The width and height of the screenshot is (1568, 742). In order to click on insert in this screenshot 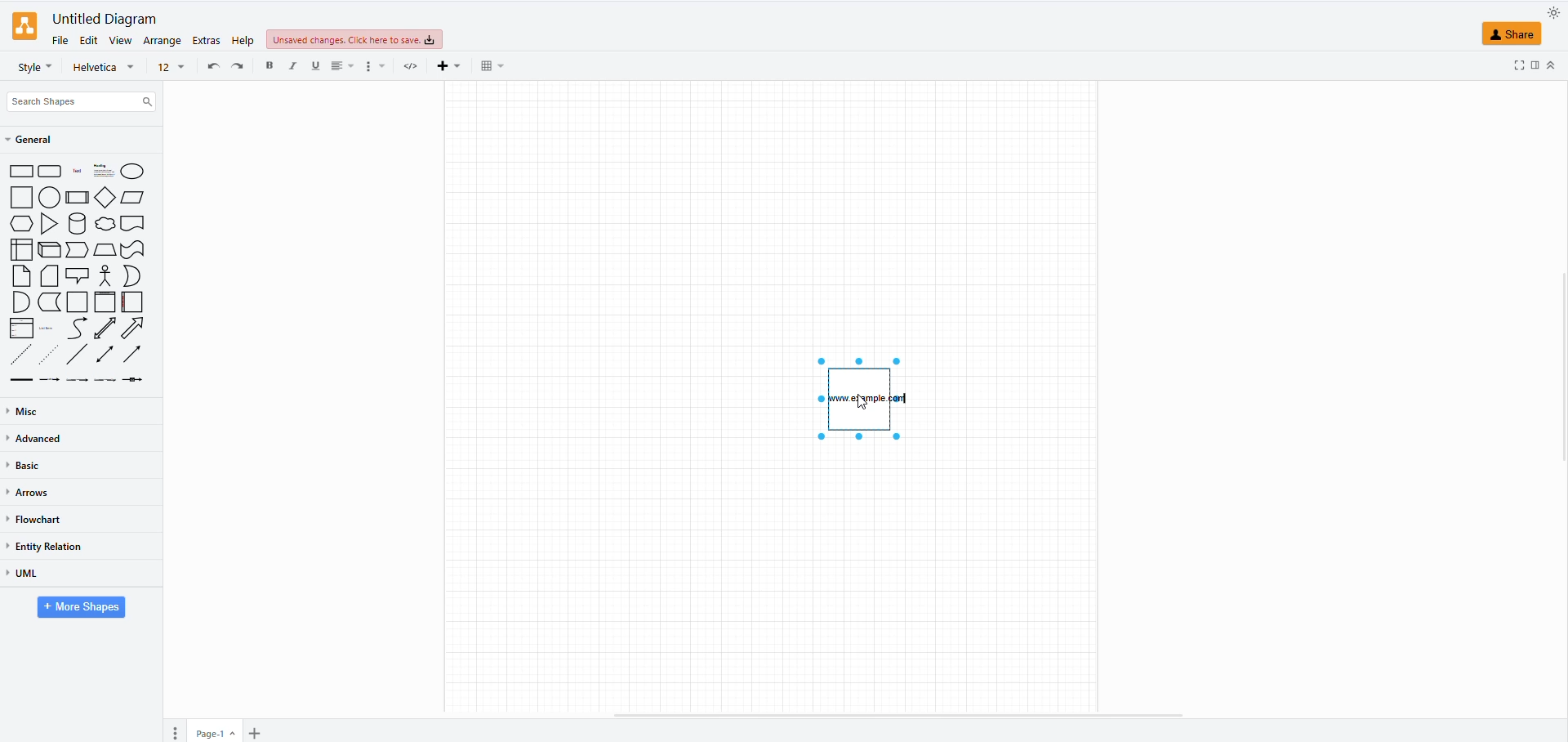, I will do `click(453, 65)`.